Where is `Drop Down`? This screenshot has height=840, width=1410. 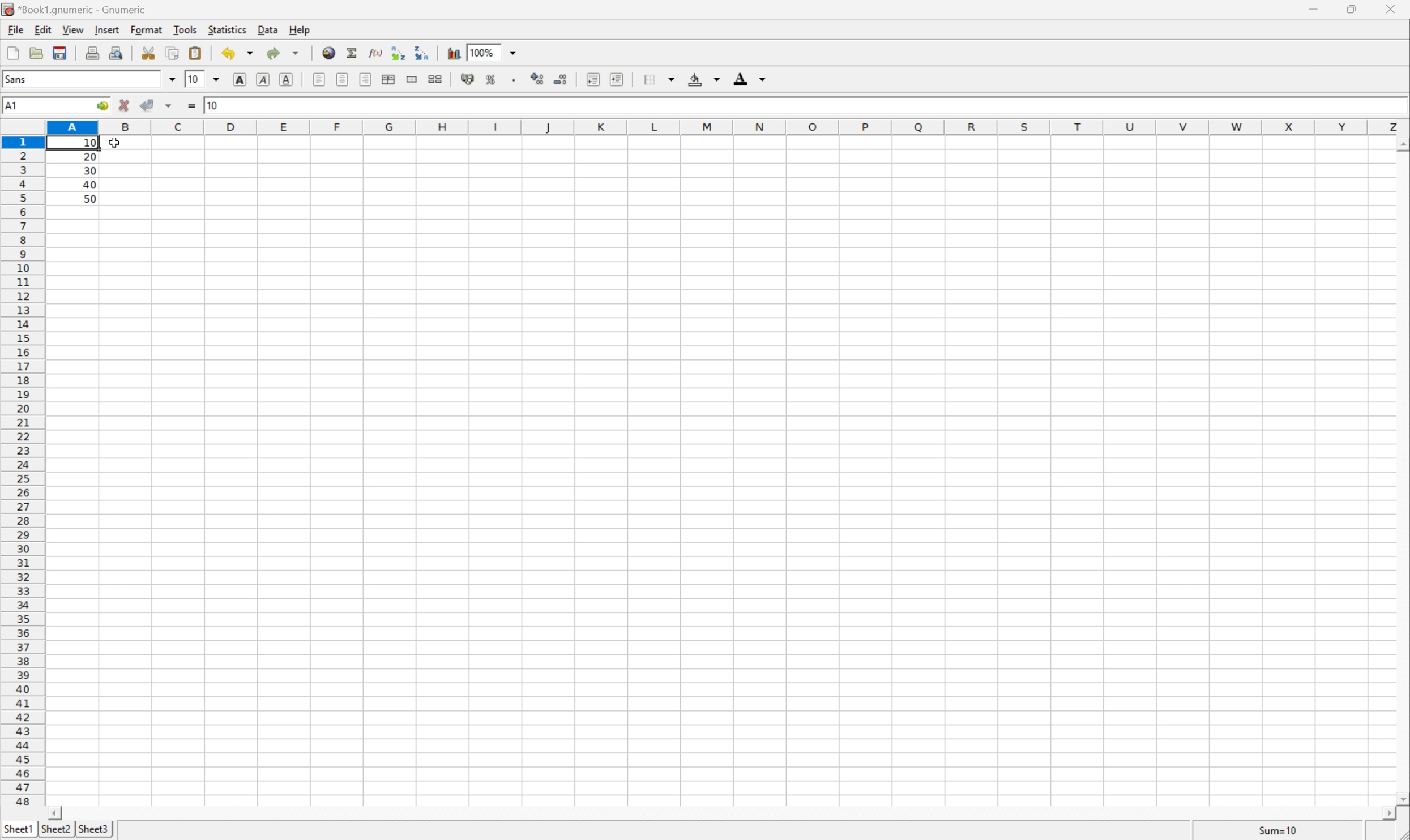 Drop Down is located at coordinates (171, 79).